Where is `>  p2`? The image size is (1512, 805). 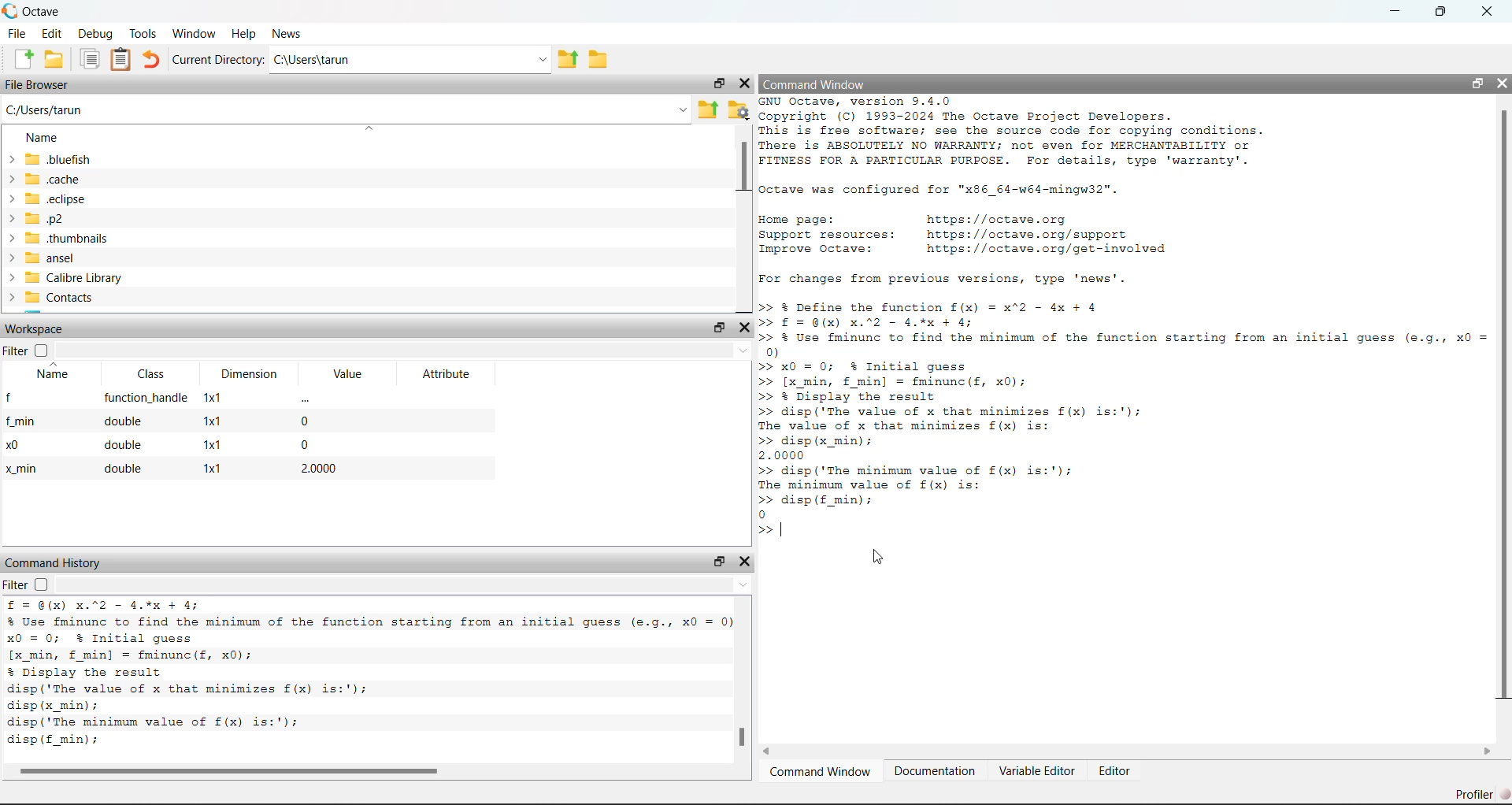 >  p2 is located at coordinates (46, 218).